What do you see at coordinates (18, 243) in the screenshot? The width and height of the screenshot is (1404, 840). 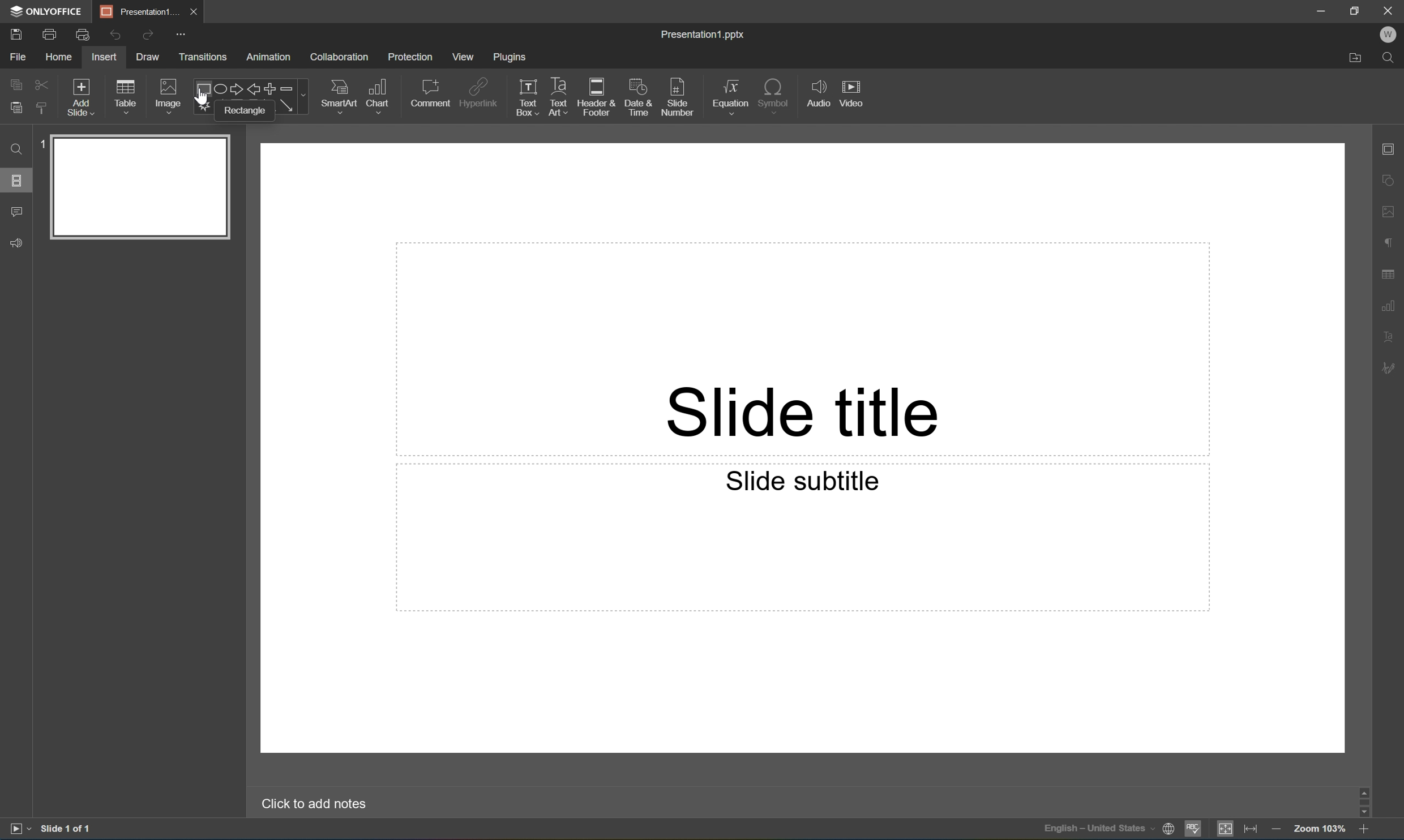 I see `Feedback & Support` at bounding box center [18, 243].